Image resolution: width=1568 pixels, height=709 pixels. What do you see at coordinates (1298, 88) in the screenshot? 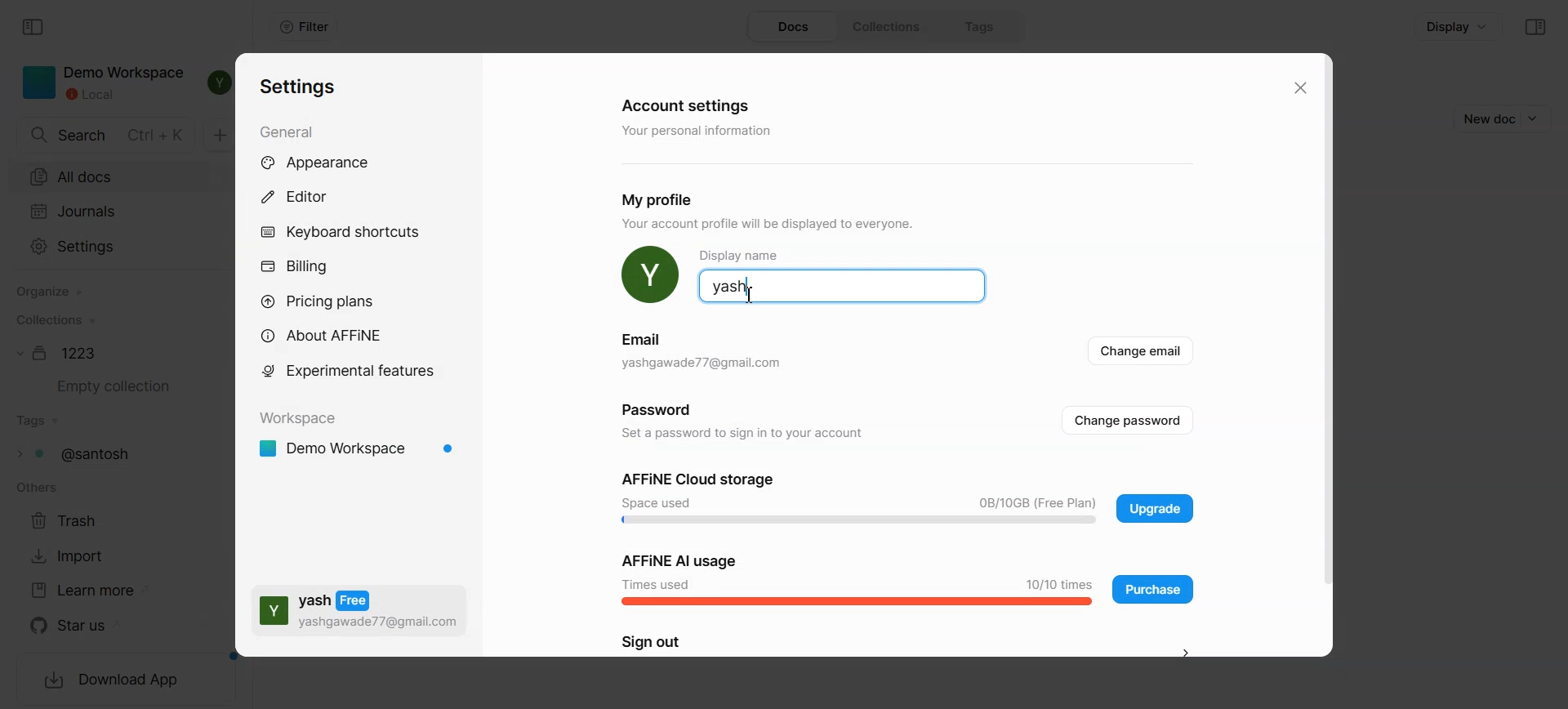
I see `Close` at bounding box center [1298, 88].